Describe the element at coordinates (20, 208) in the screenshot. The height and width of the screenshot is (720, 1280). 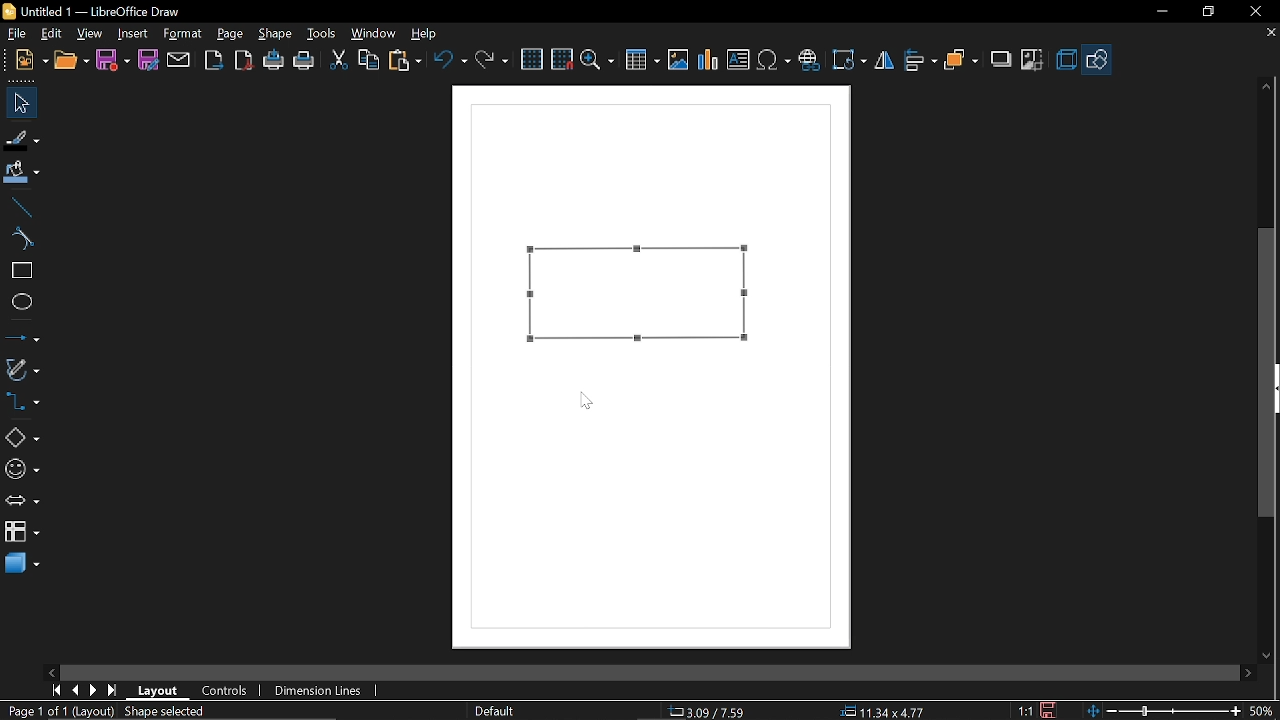
I see `line` at that location.